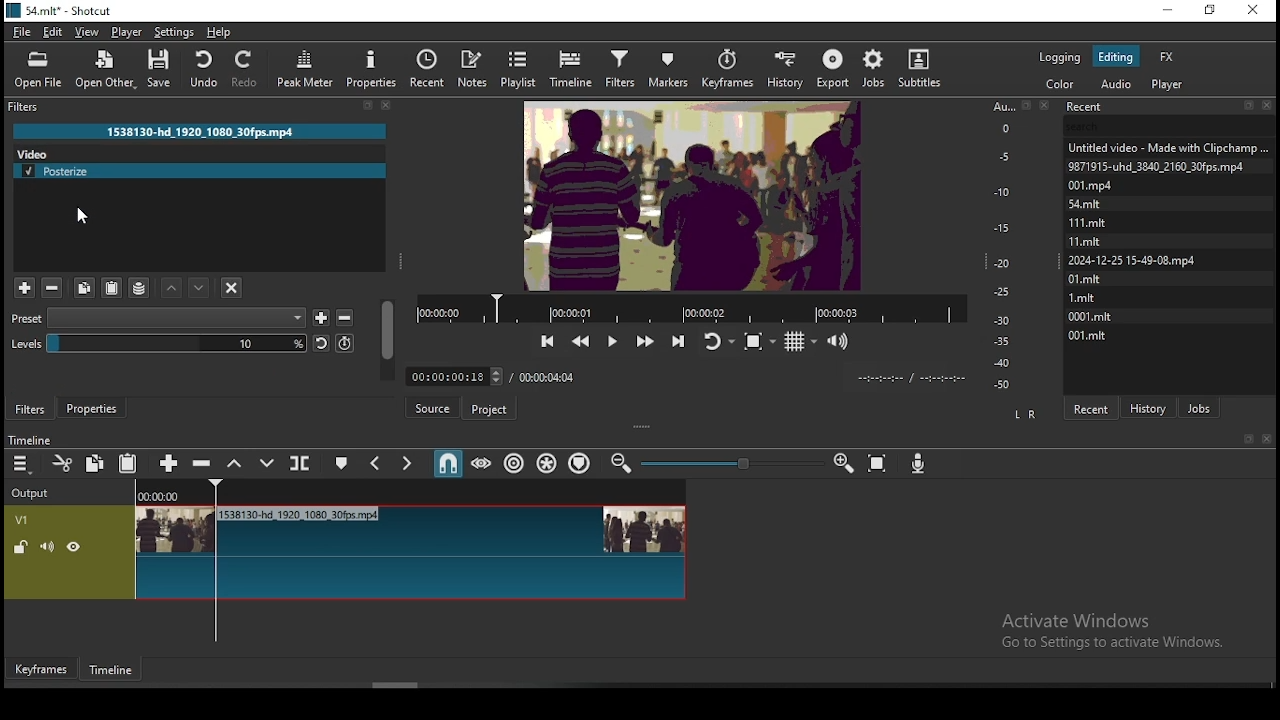 The image size is (1280, 720). I want to click on posterize, so click(202, 171).